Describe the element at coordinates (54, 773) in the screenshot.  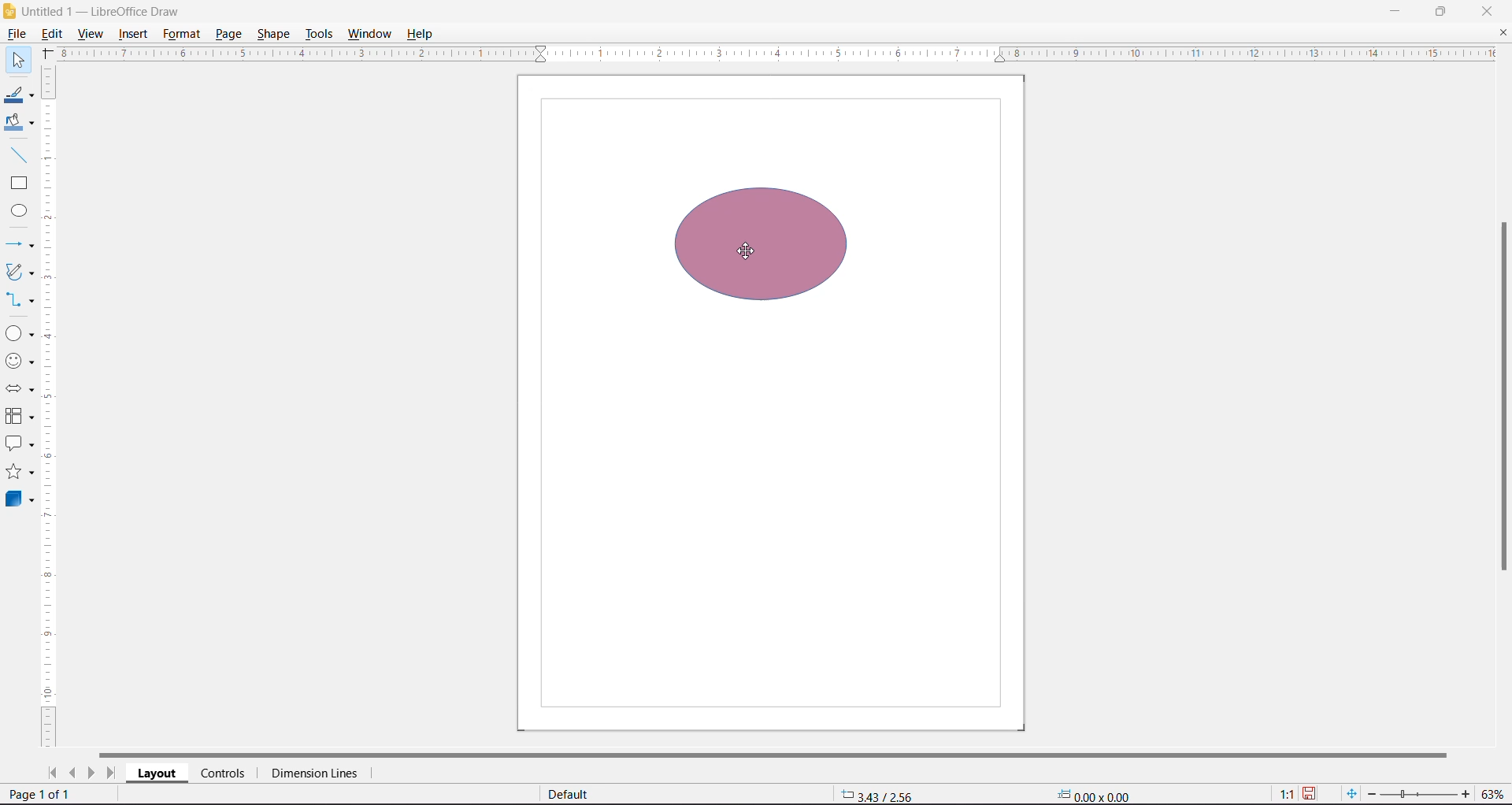
I see `Scroll to first page` at that location.